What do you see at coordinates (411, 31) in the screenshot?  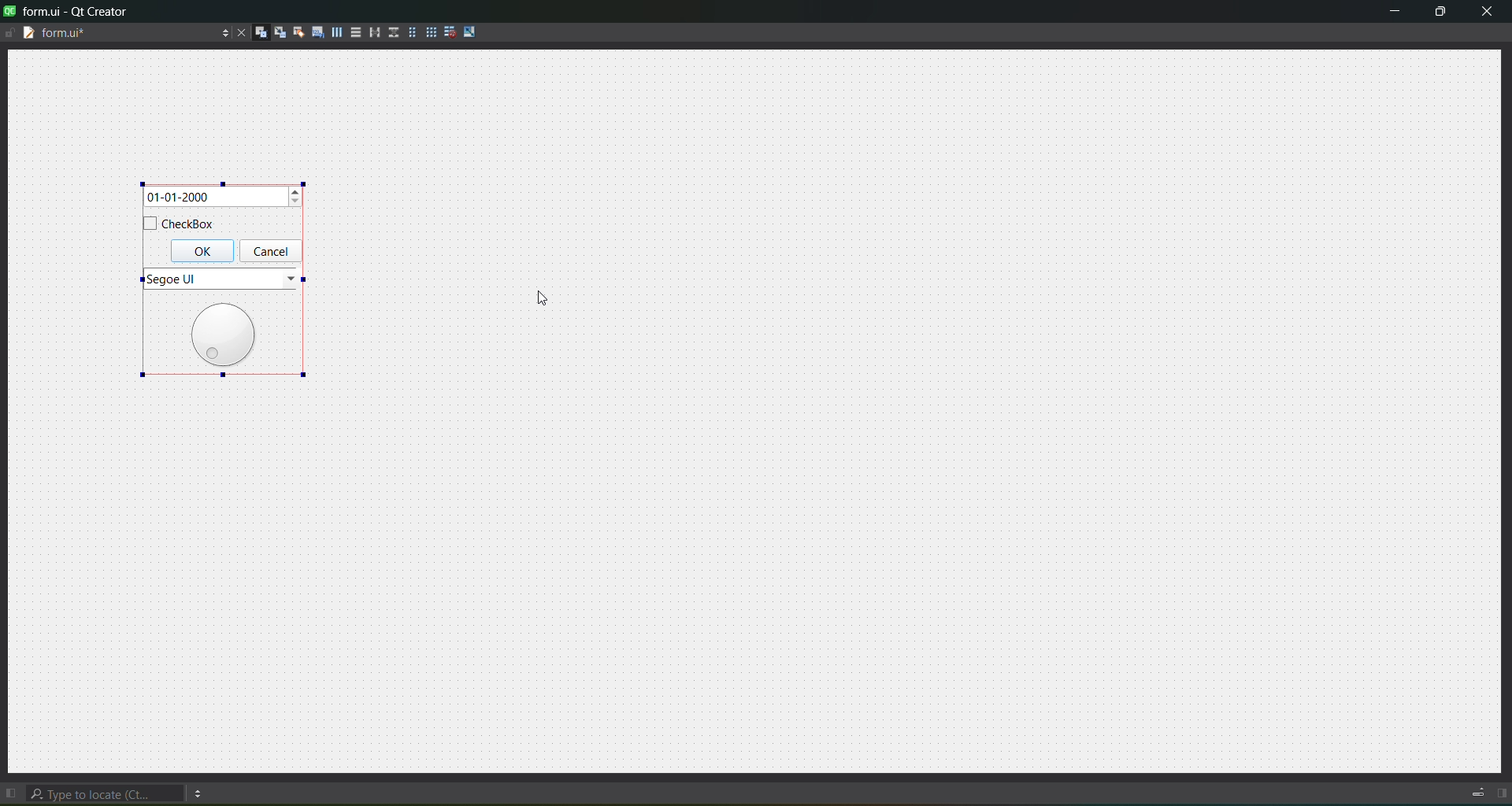 I see `layout in a form` at bounding box center [411, 31].